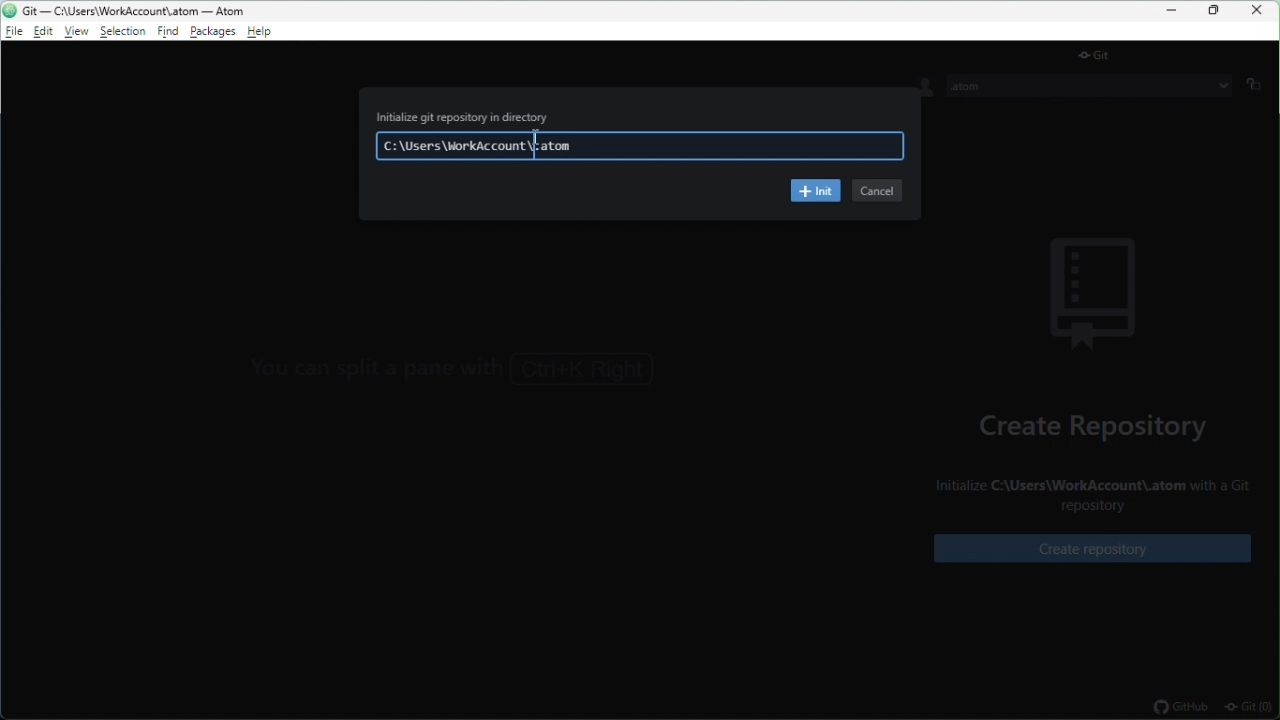 The image size is (1280, 720). Describe the element at coordinates (877, 191) in the screenshot. I see `cancel` at that location.